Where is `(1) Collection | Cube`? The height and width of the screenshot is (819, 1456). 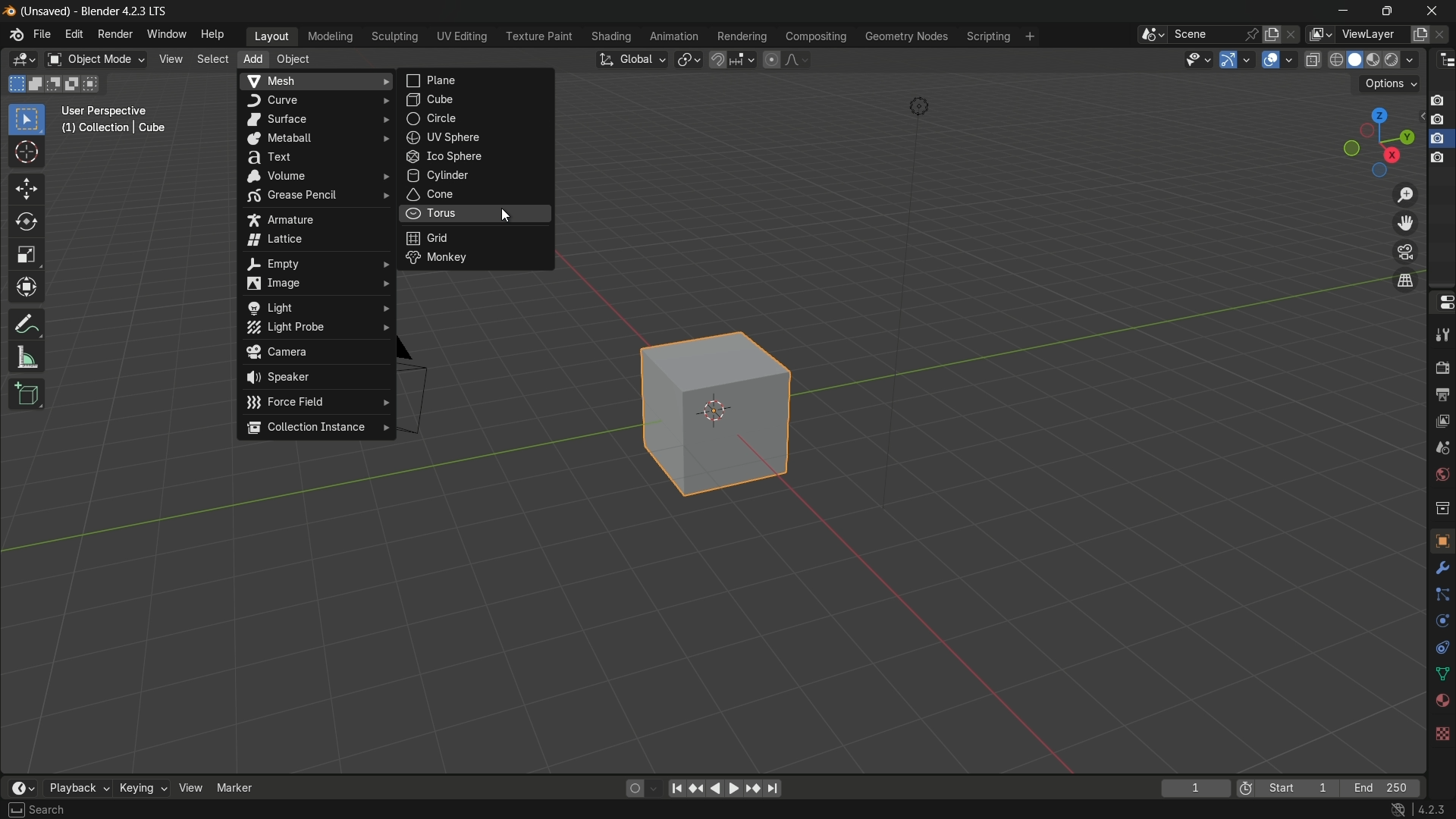 (1) Collection | Cube is located at coordinates (113, 129).